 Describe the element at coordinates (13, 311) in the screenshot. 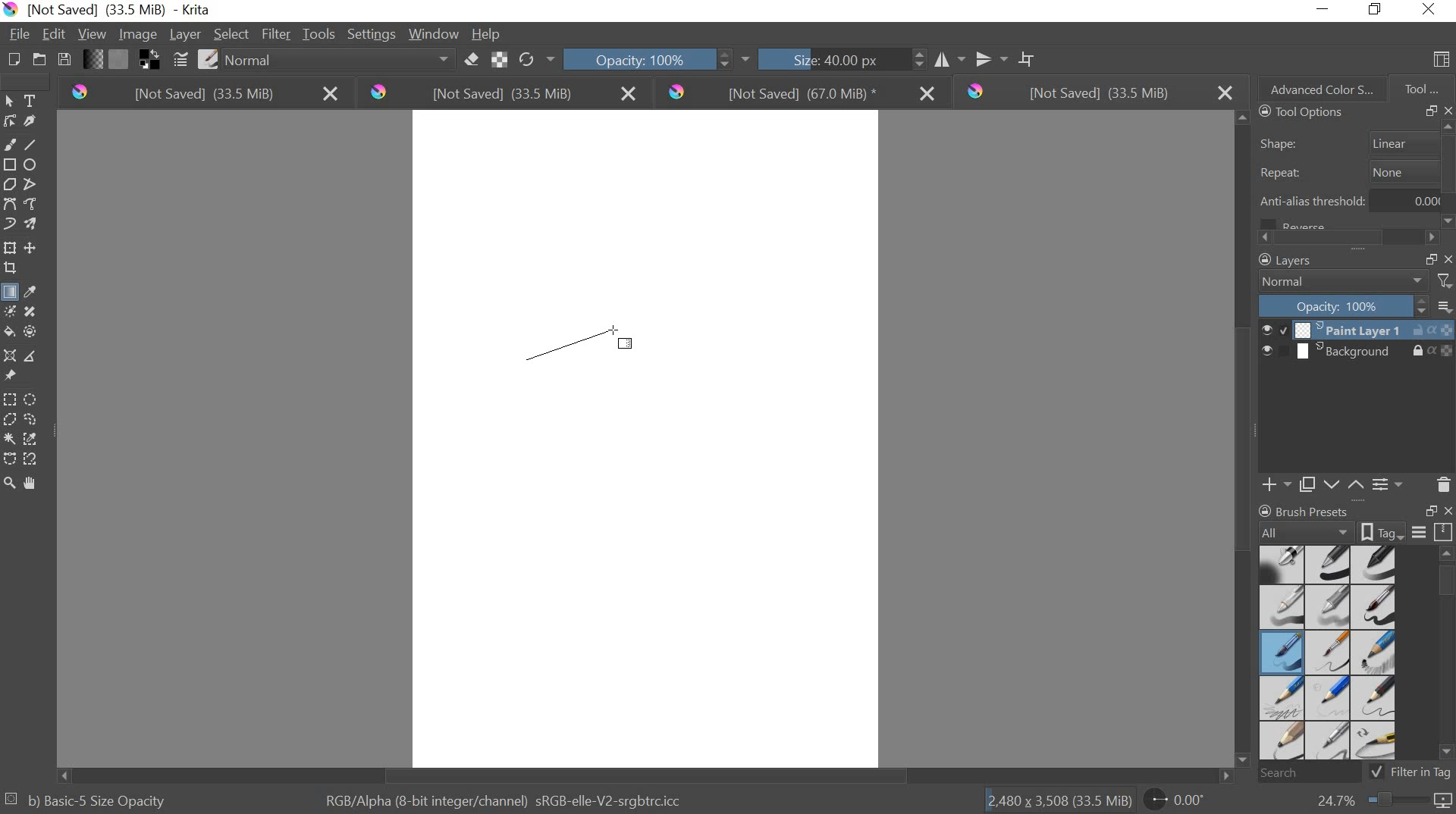

I see `colorize mask tool` at that location.